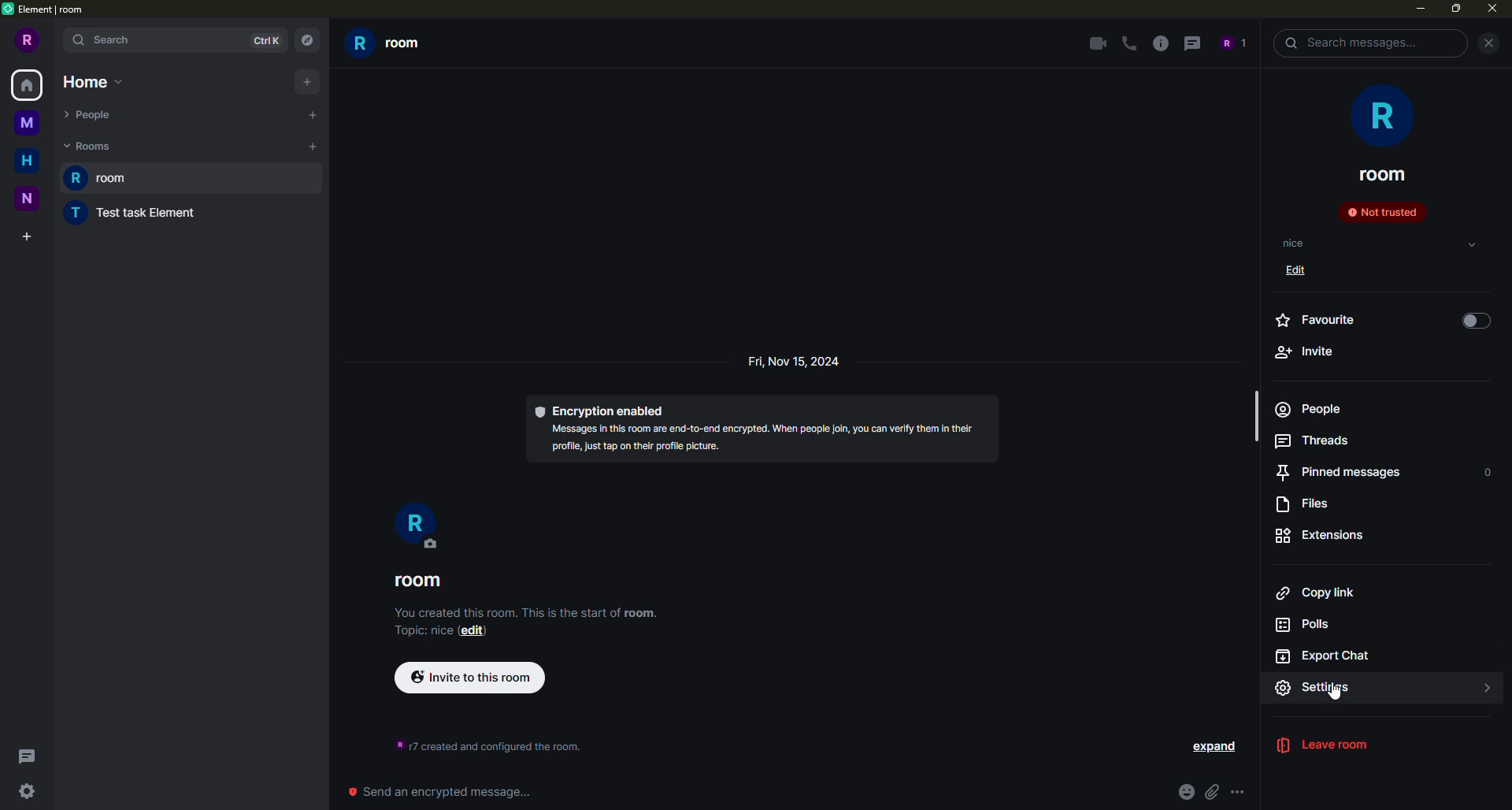 Image resolution: width=1512 pixels, height=810 pixels. Describe the element at coordinates (27, 39) in the screenshot. I see `R` at that location.